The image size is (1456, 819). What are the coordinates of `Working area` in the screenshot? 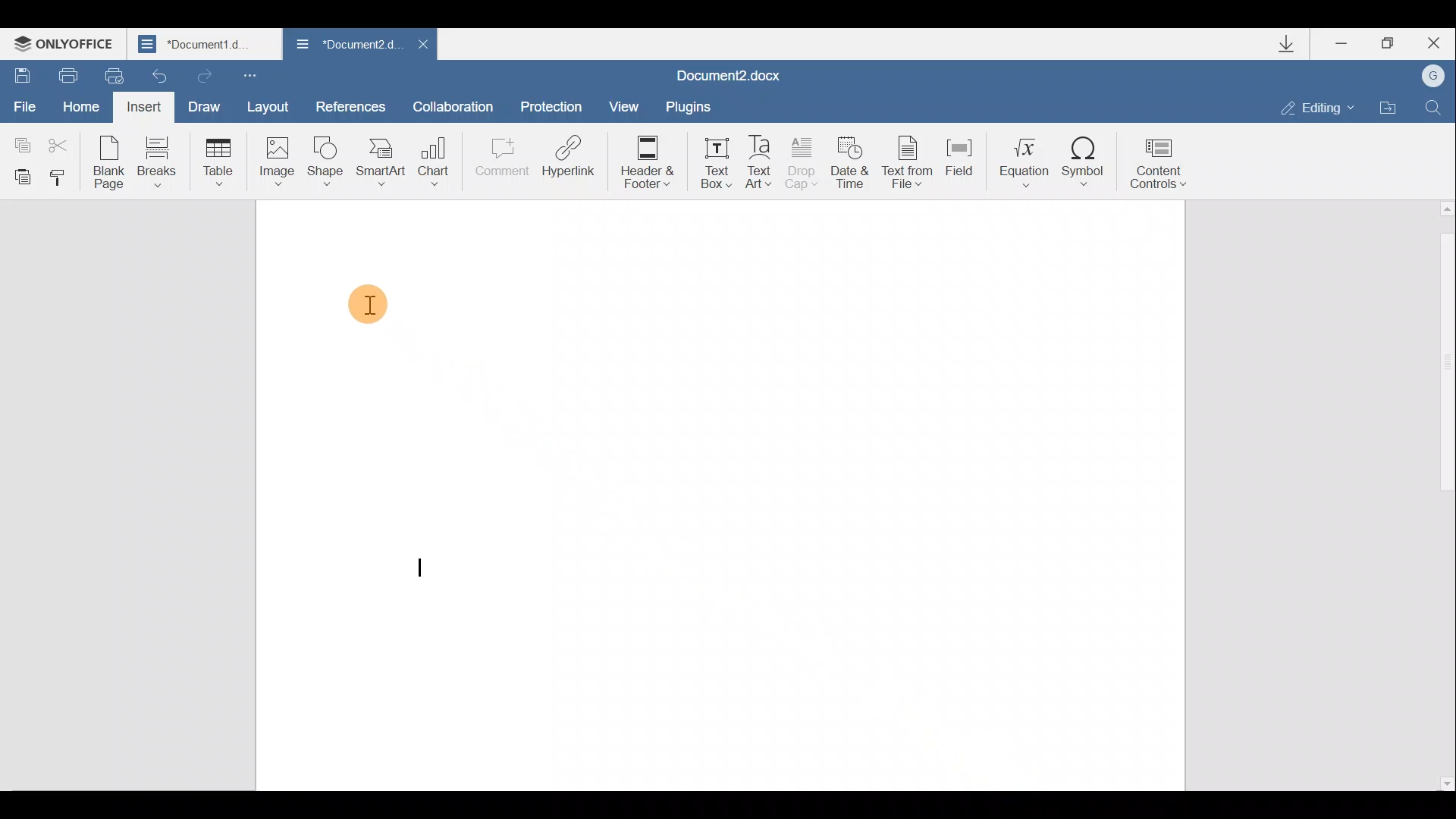 It's located at (722, 494).